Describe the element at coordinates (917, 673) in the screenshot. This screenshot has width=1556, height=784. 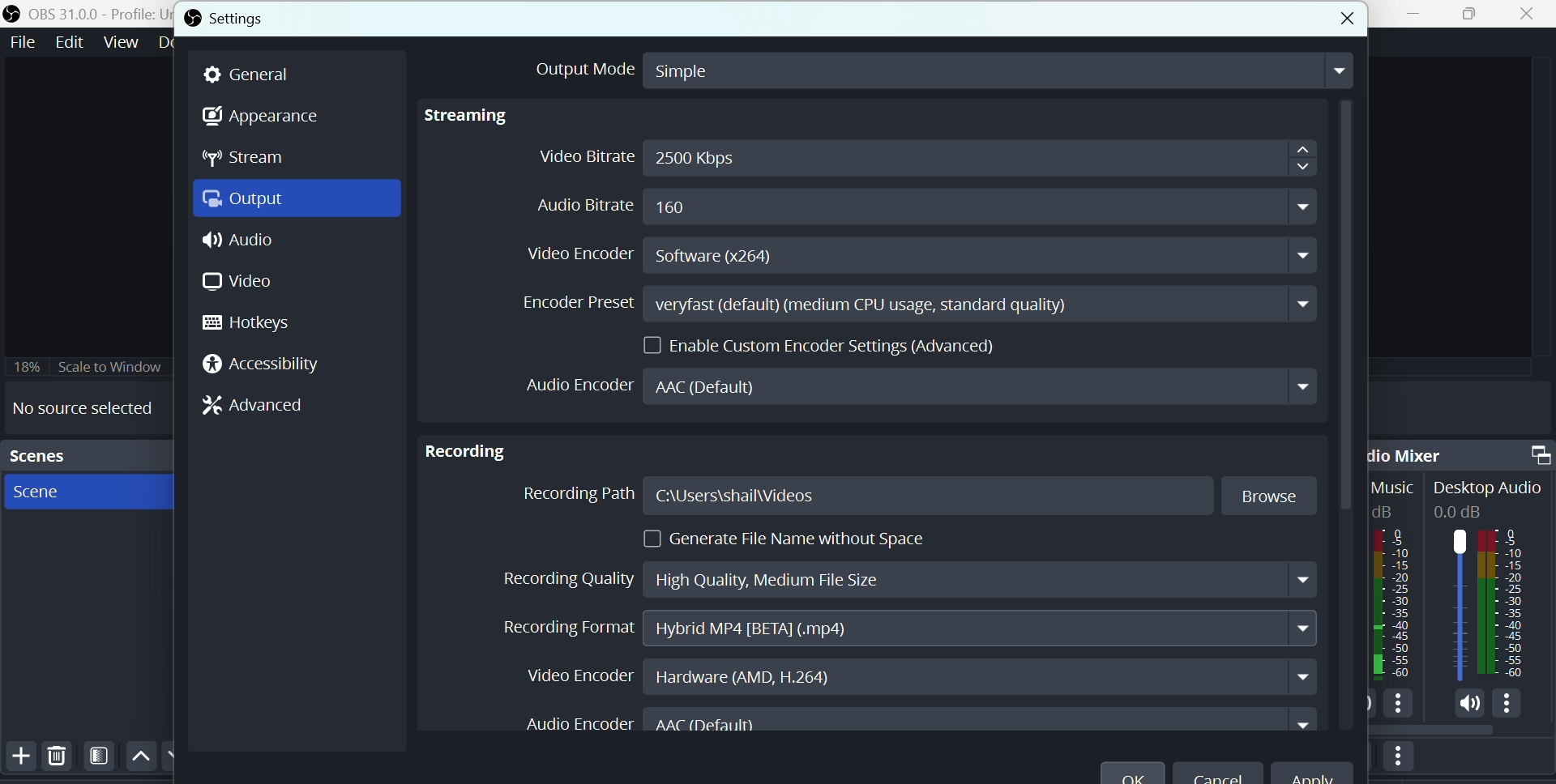
I see `Video en coder` at that location.